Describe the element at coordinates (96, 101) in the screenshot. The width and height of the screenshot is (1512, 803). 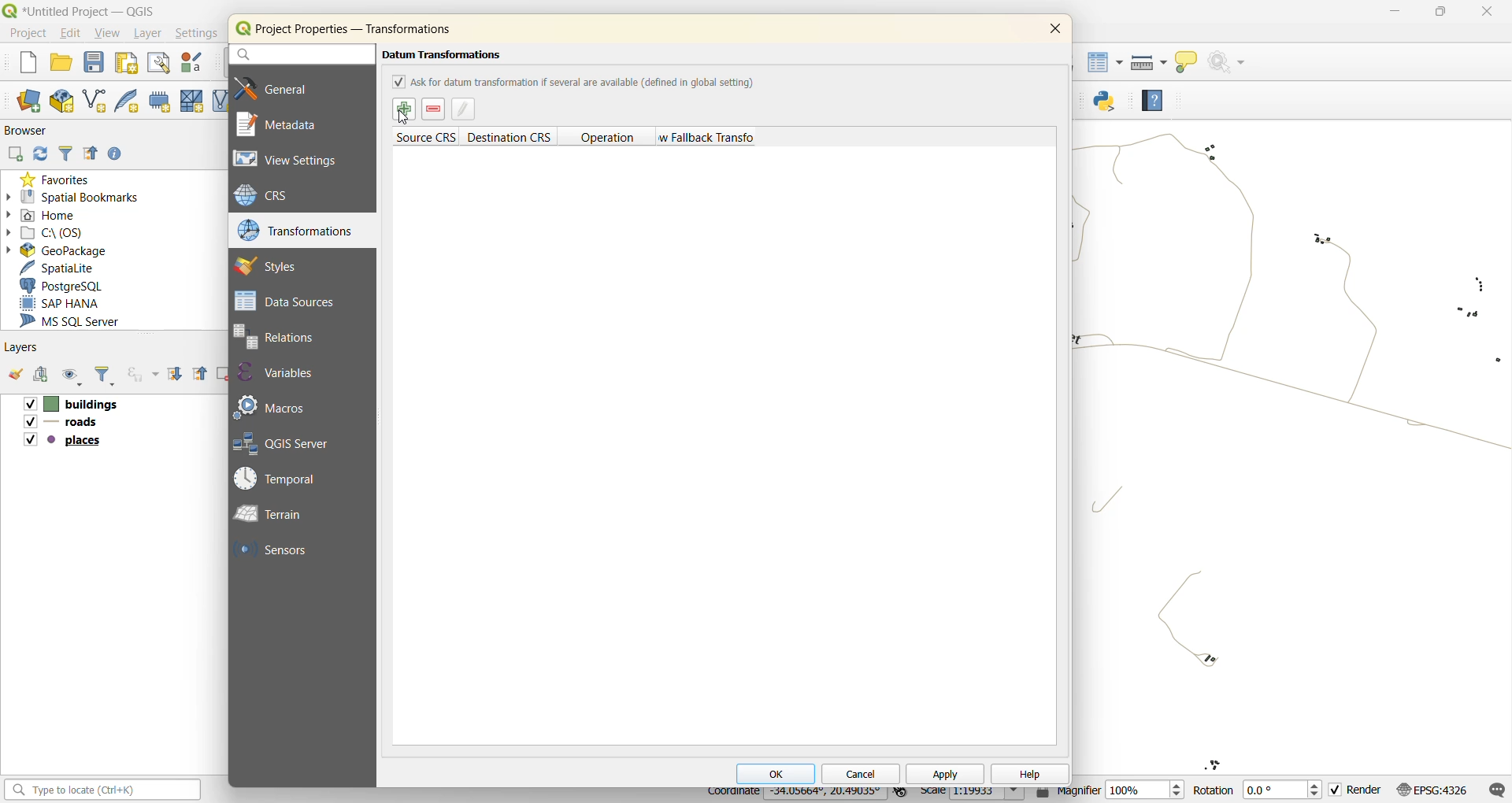
I see `new shapefile` at that location.